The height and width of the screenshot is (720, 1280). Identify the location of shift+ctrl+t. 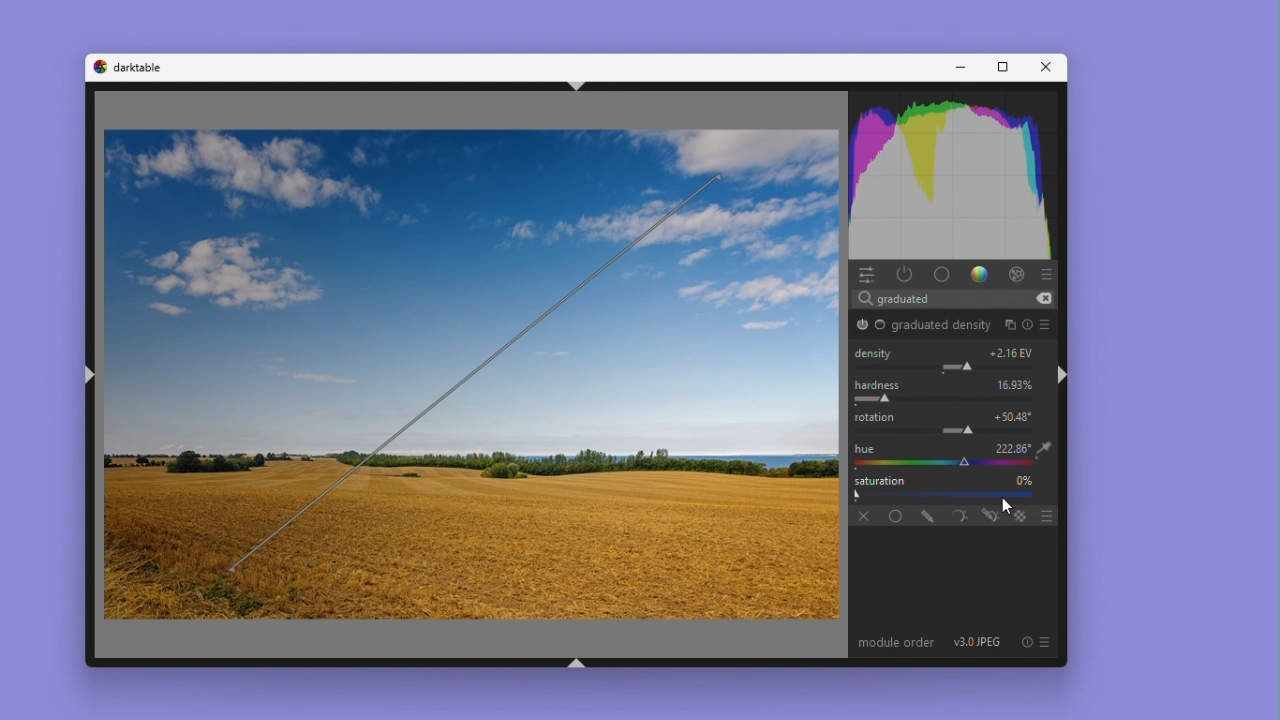
(575, 83).